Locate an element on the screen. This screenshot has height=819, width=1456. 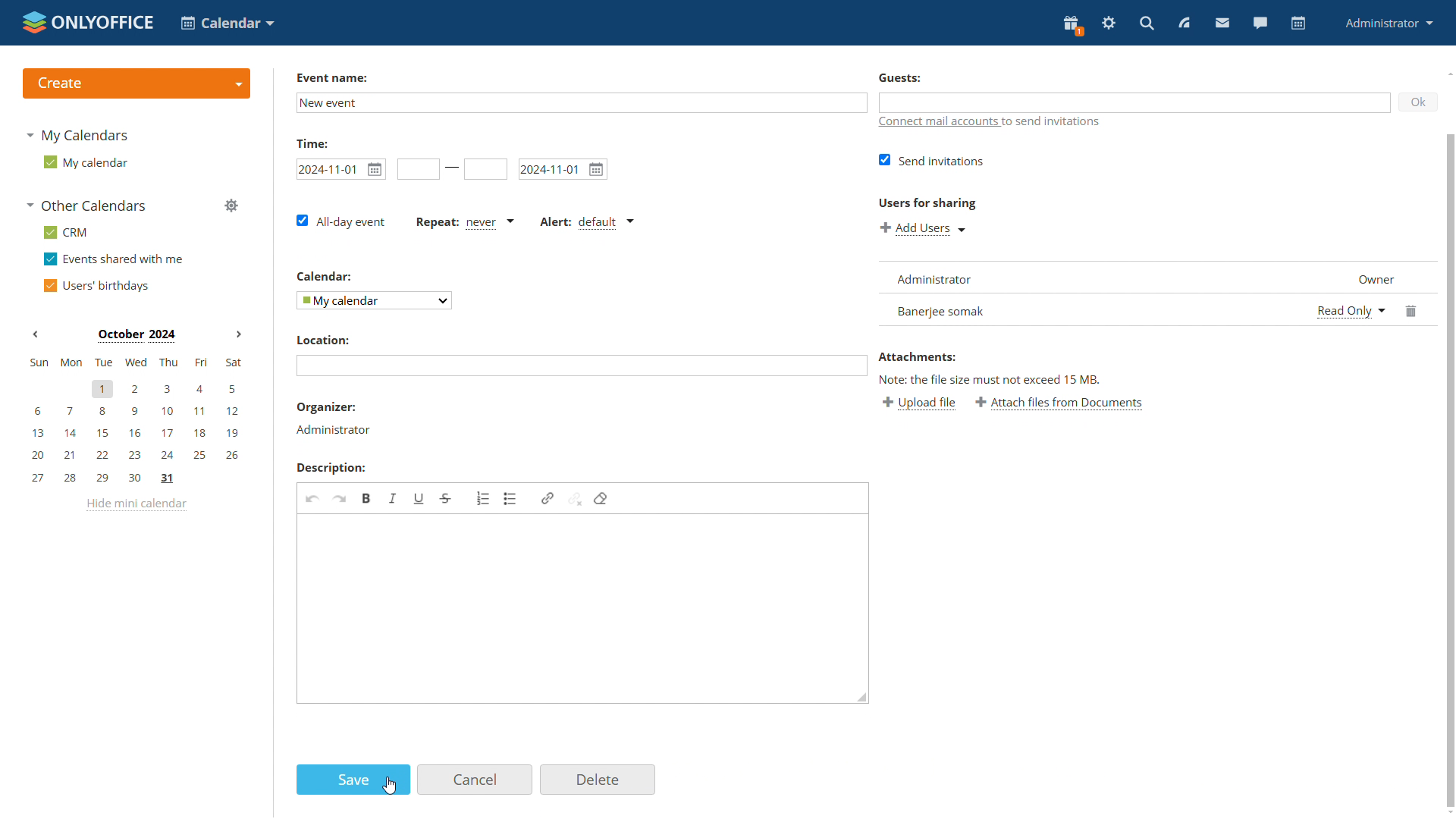
all-day event checkbox is located at coordinates (337, 221).